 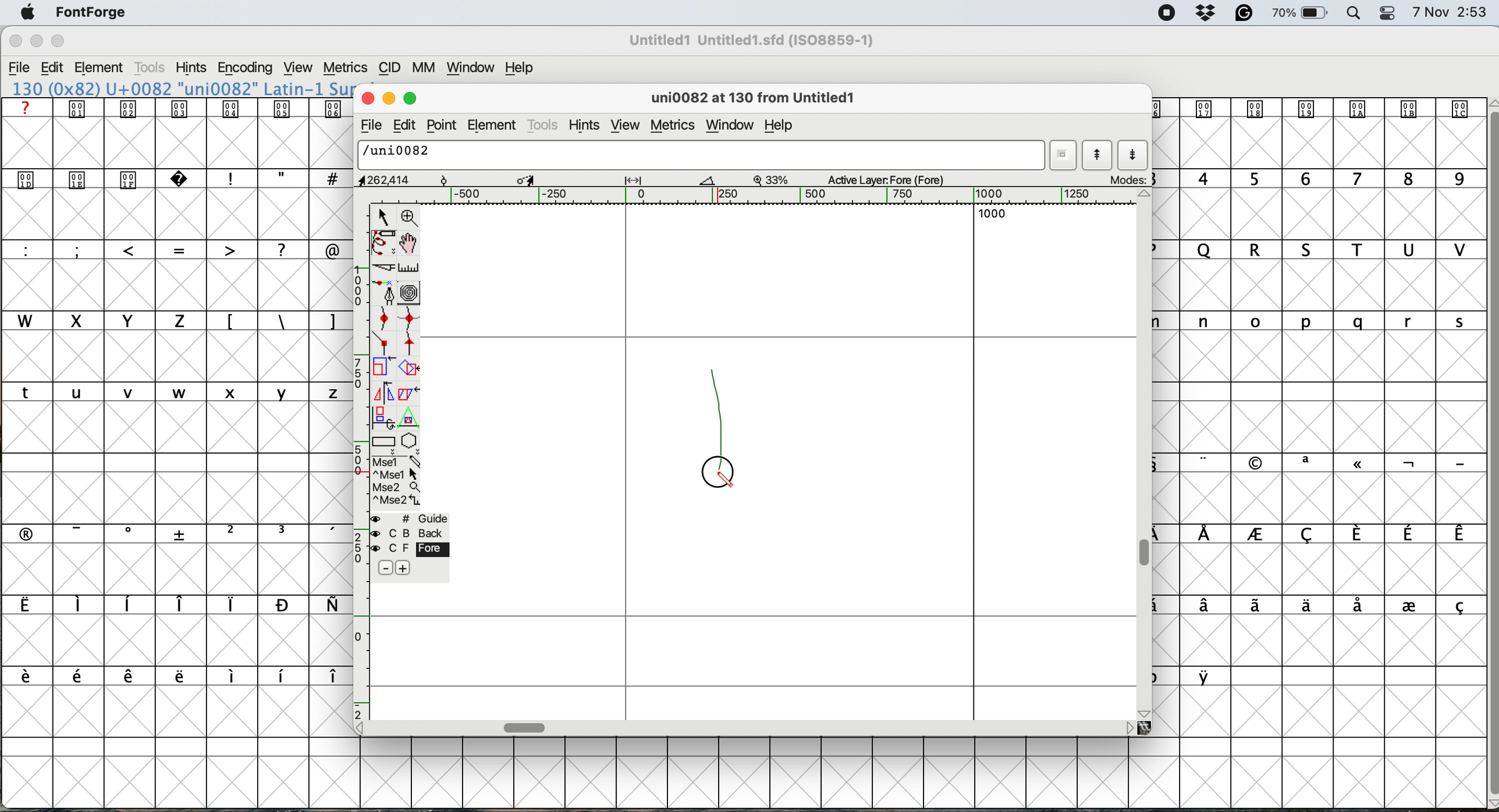 What do you see at coordinates (192, 69) in the screenshot?
I see `hints` at bounding box center [192, 69].